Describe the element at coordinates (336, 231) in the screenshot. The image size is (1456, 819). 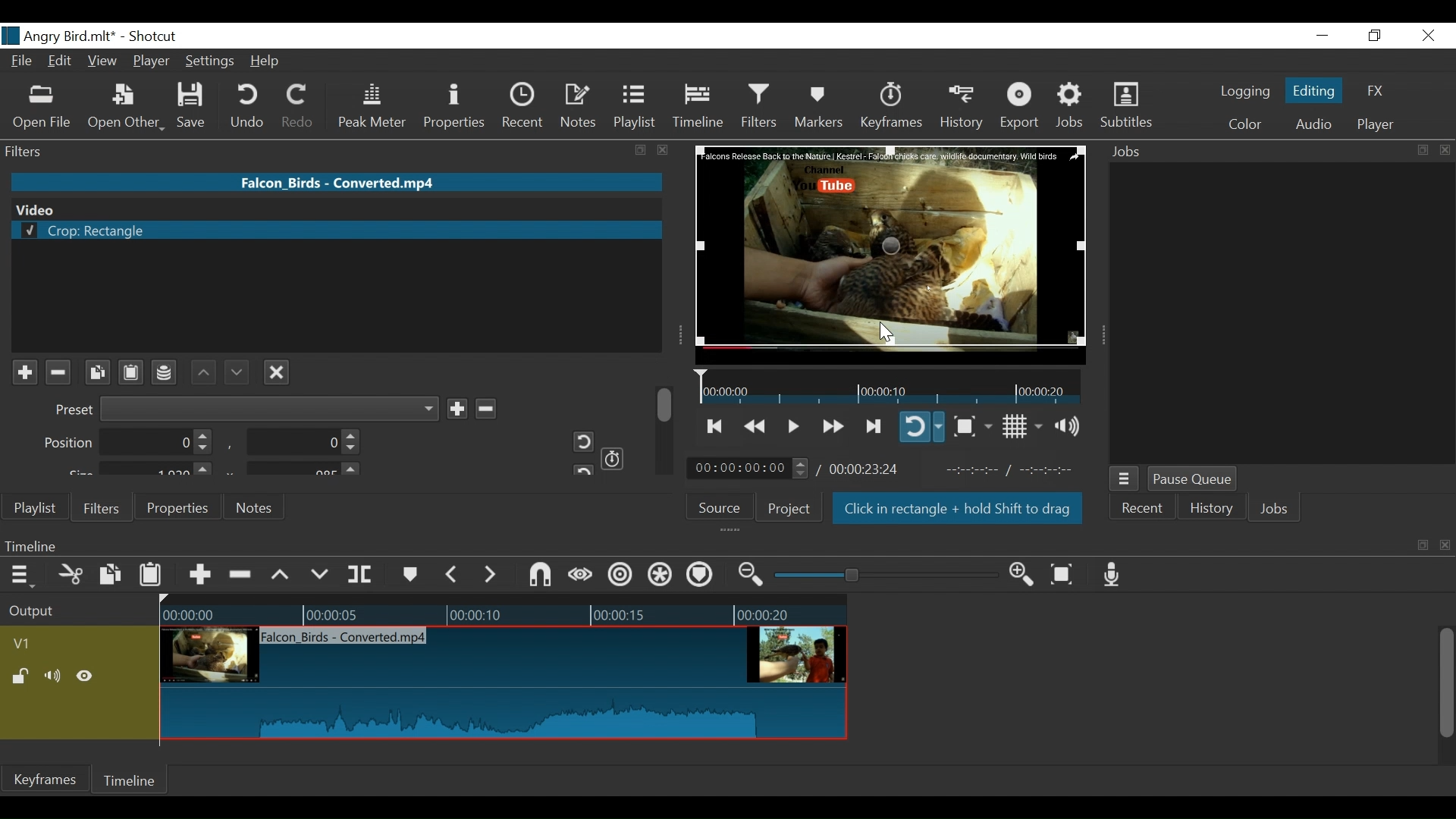
I see `Crop Rectangle` at that location.